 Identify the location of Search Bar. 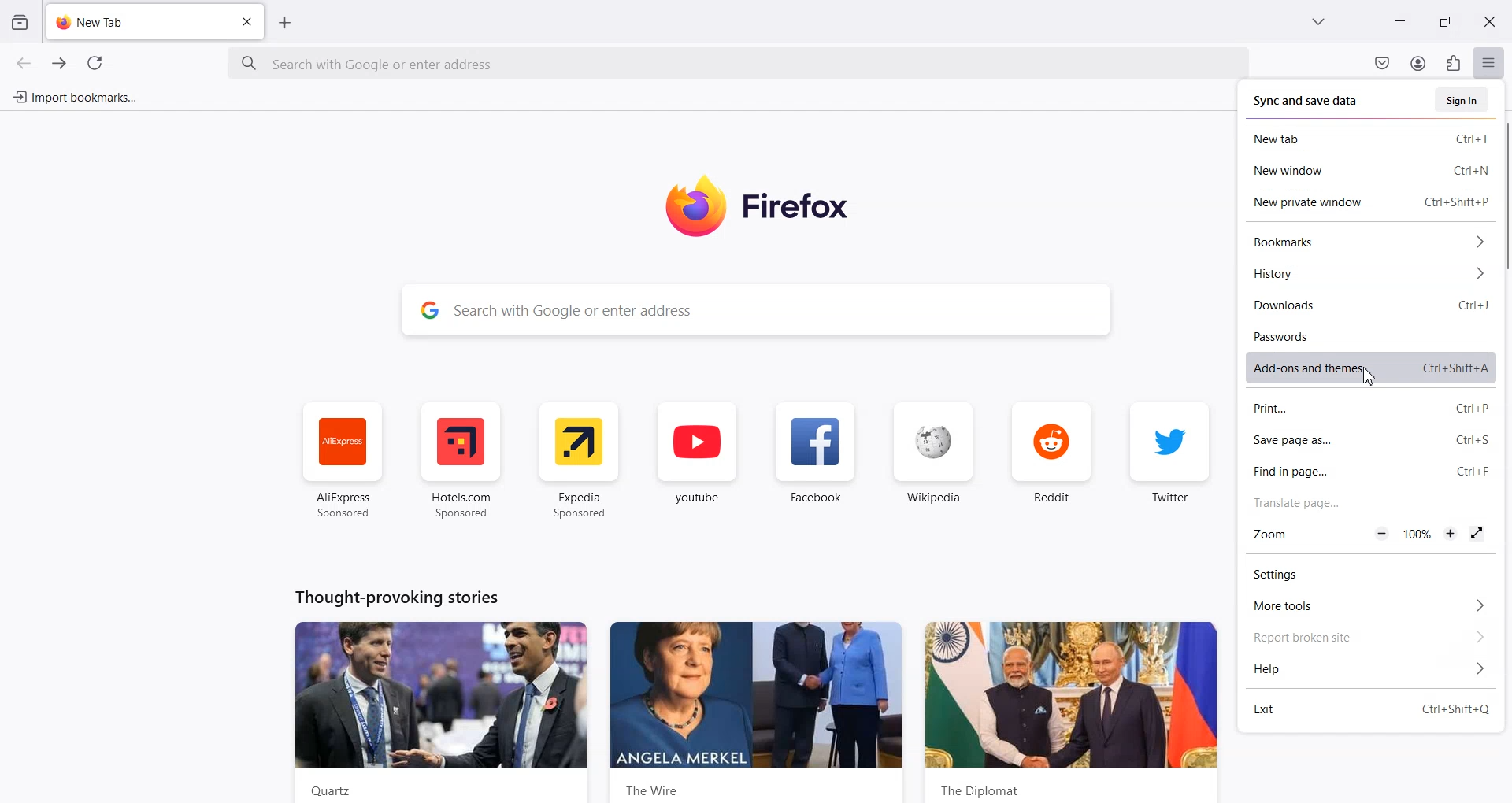
(737, 66).